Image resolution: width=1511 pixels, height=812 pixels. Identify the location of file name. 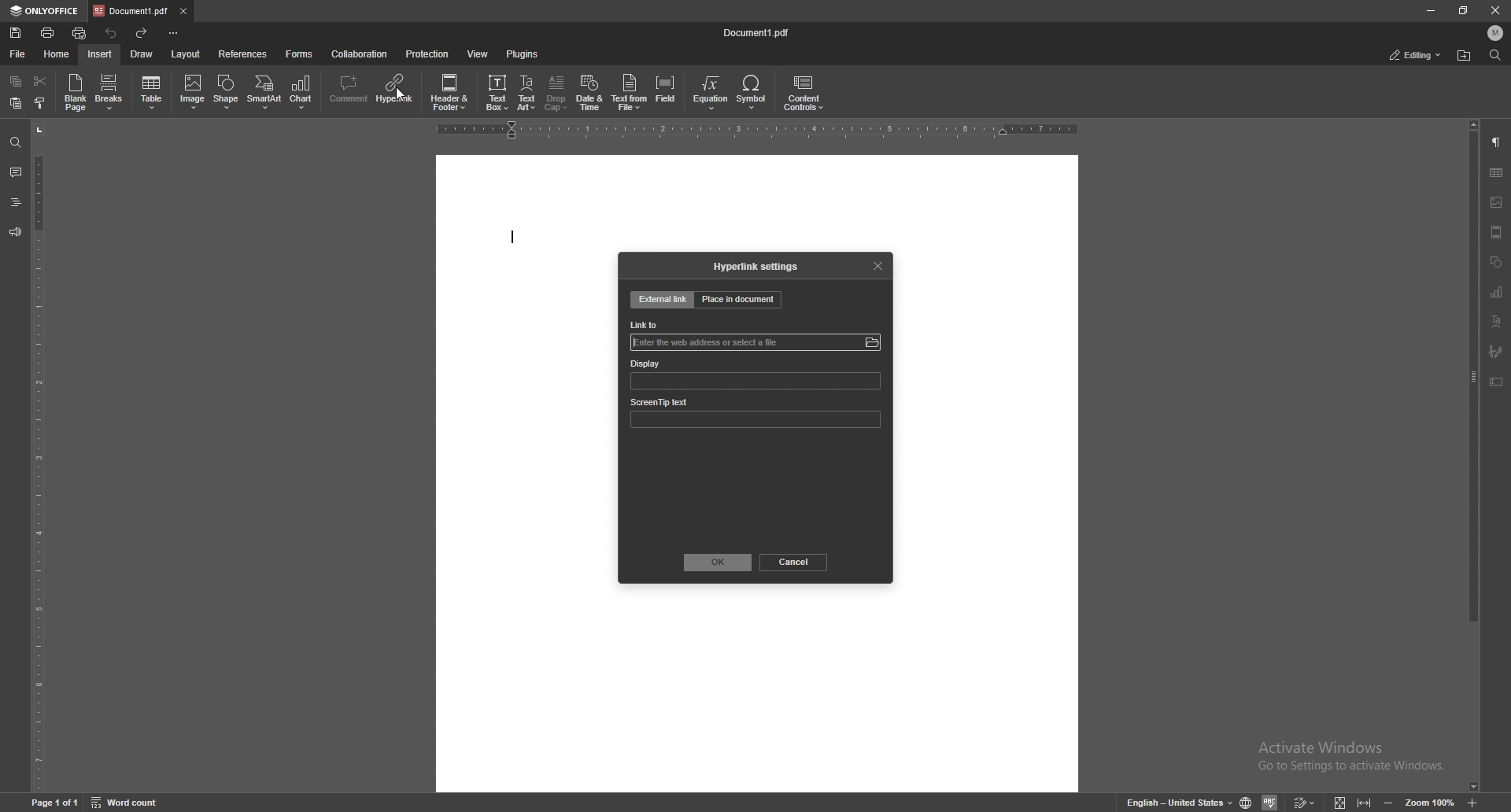
(756, 32).